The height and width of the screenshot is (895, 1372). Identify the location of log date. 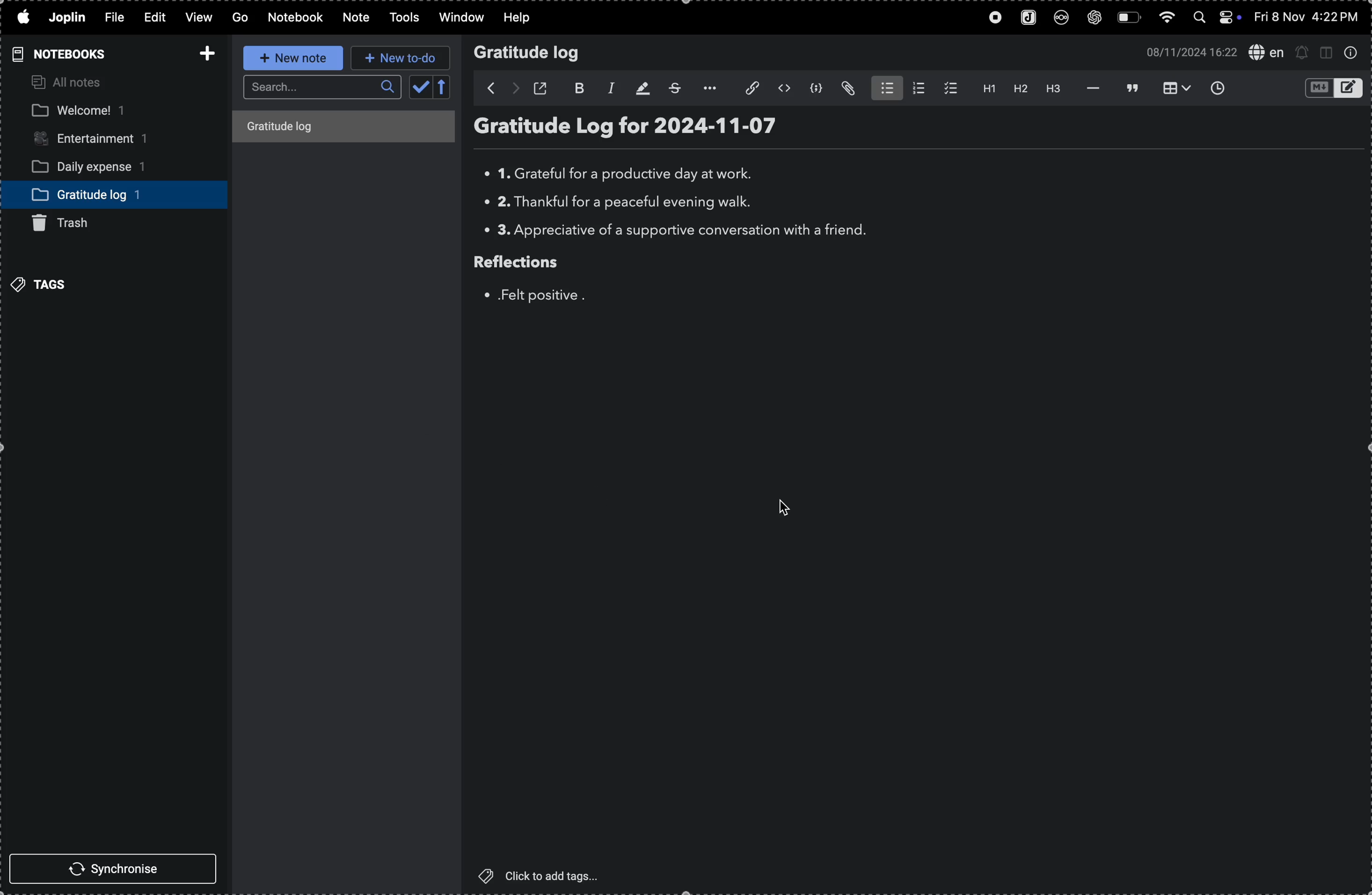
(733, 126).